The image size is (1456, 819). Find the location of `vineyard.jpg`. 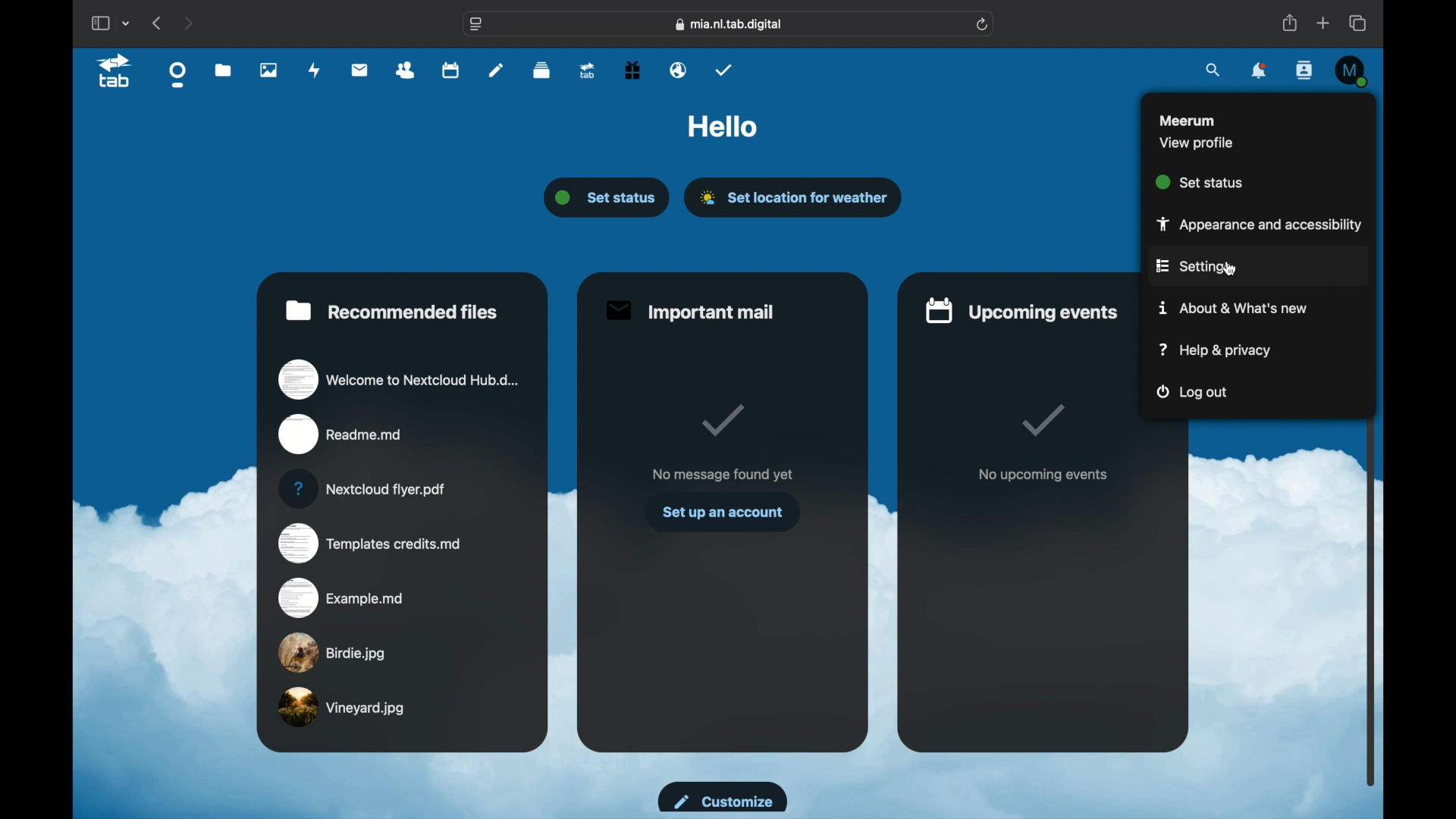

vineyard.jpg is located at coordinates (342, 708).